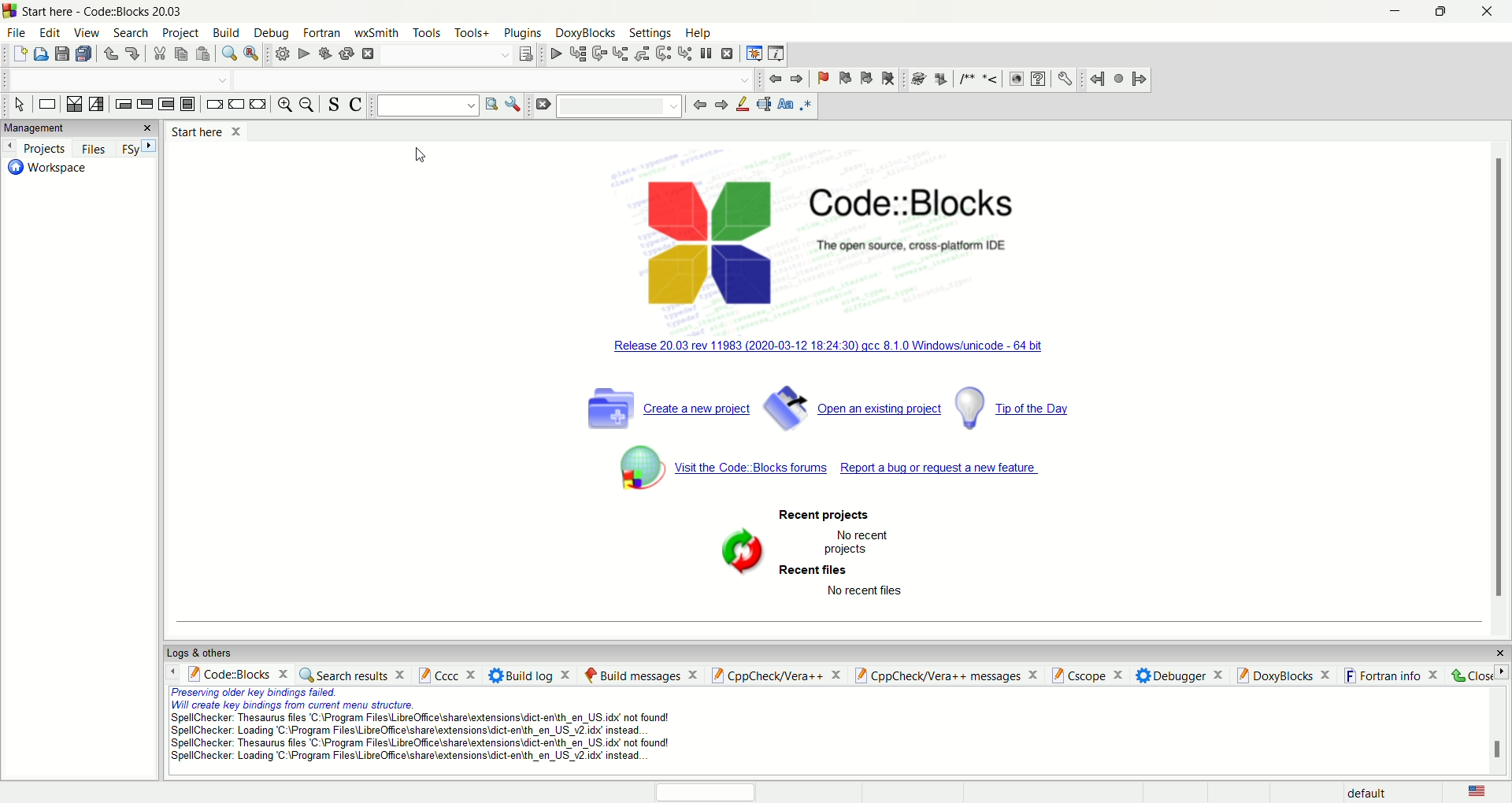  I want to click on recent files, so click(815, 570).